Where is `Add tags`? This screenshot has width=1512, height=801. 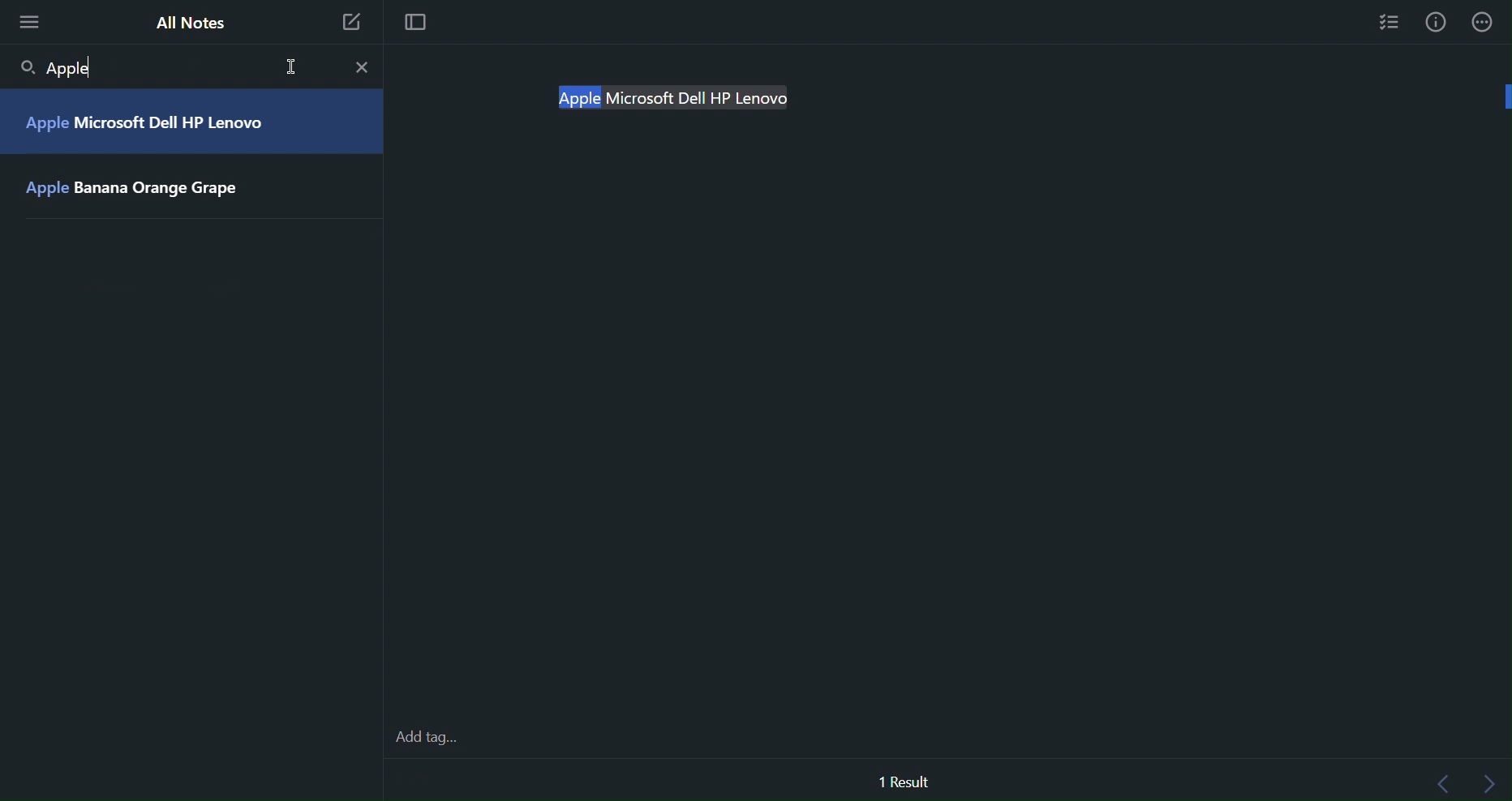
Add tags is located at coordinates (429, 735).